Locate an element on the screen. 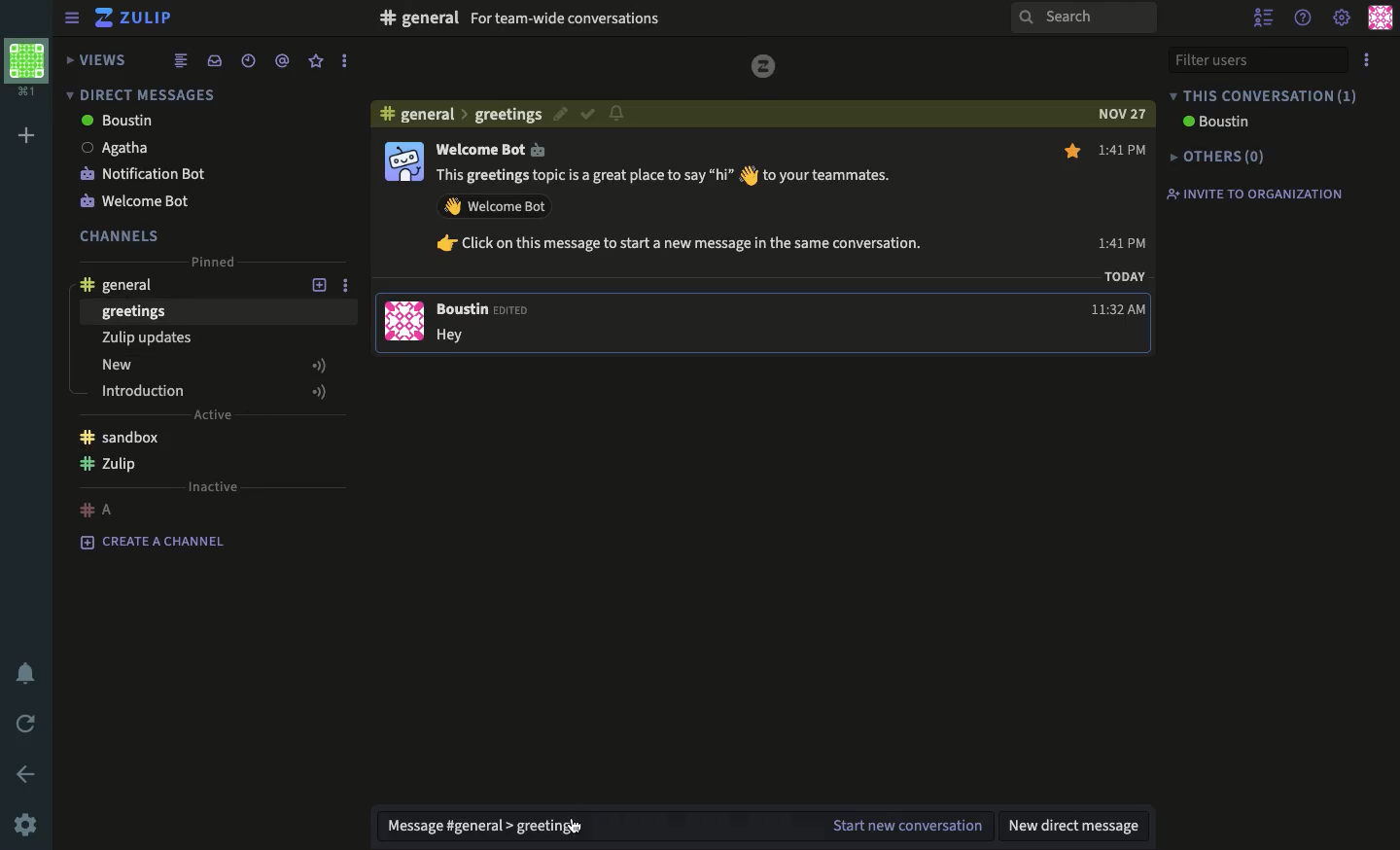 Image resolution: width=1400 pixels, height=850 pixels. hide user list is located at coordinates (1264, 15).